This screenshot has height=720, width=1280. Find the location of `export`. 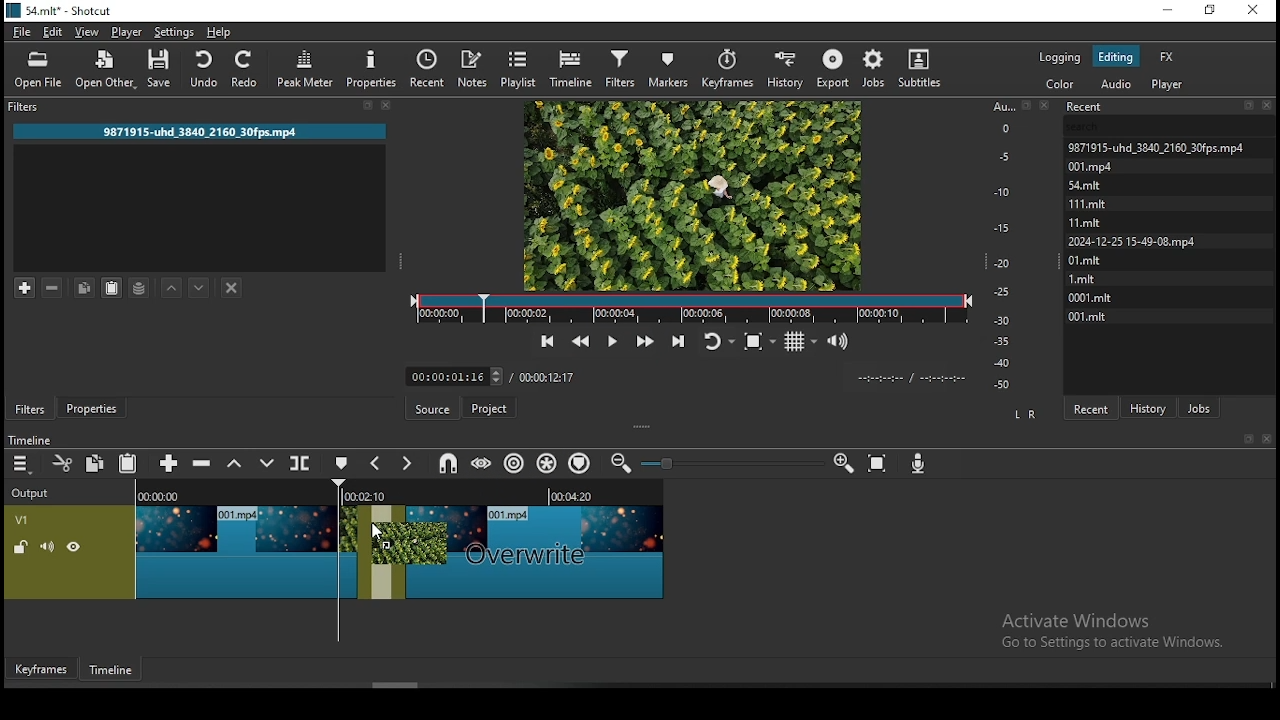

export is located at coordinates (834, 68).